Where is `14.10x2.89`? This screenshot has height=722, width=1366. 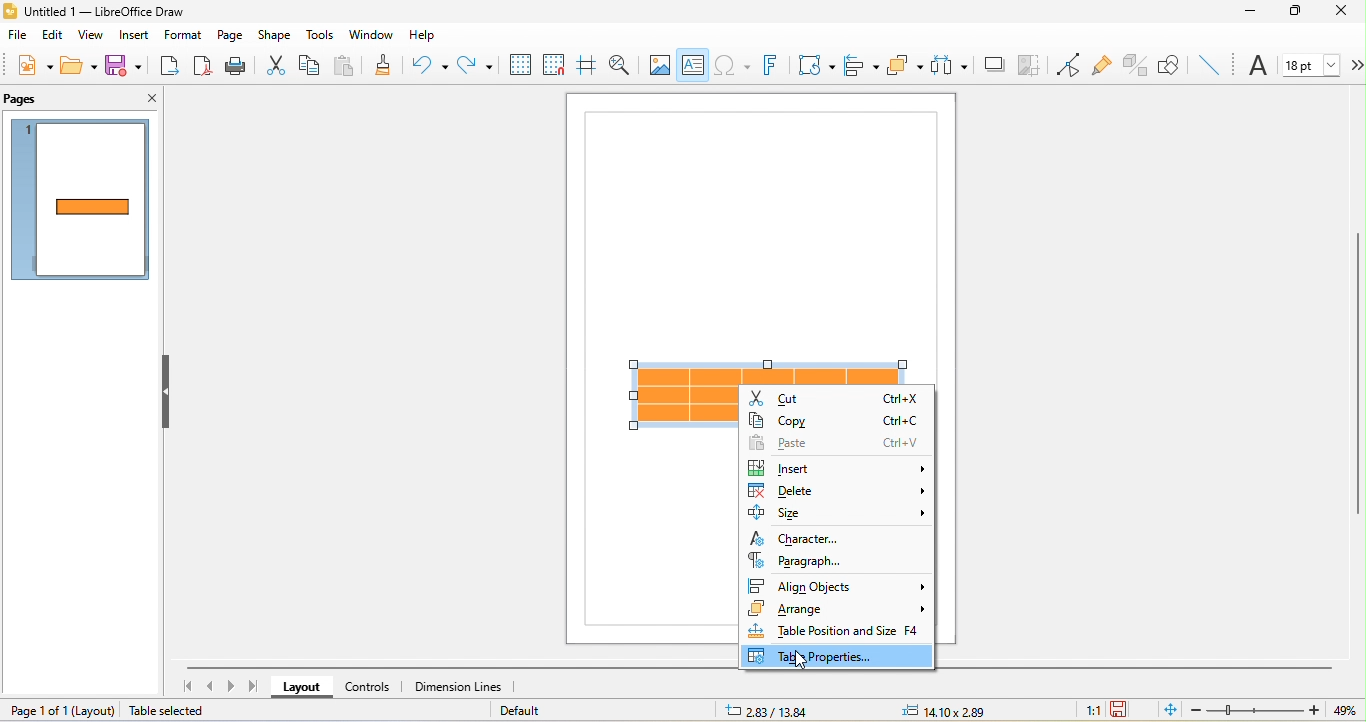 14.10x2.89 is located at coordinates (947, 709).